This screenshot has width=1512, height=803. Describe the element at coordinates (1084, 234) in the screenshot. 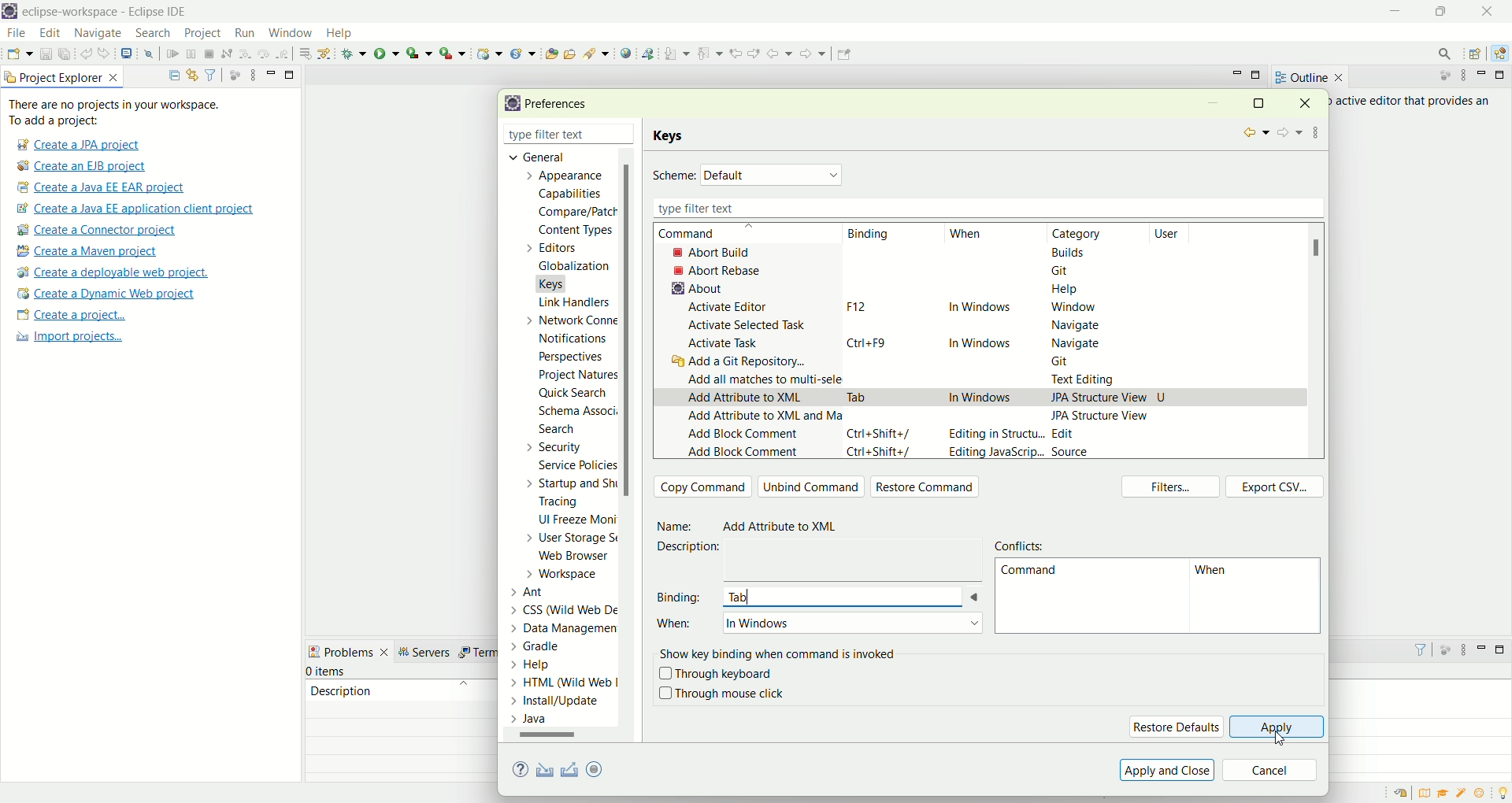

I see `category` at that location.